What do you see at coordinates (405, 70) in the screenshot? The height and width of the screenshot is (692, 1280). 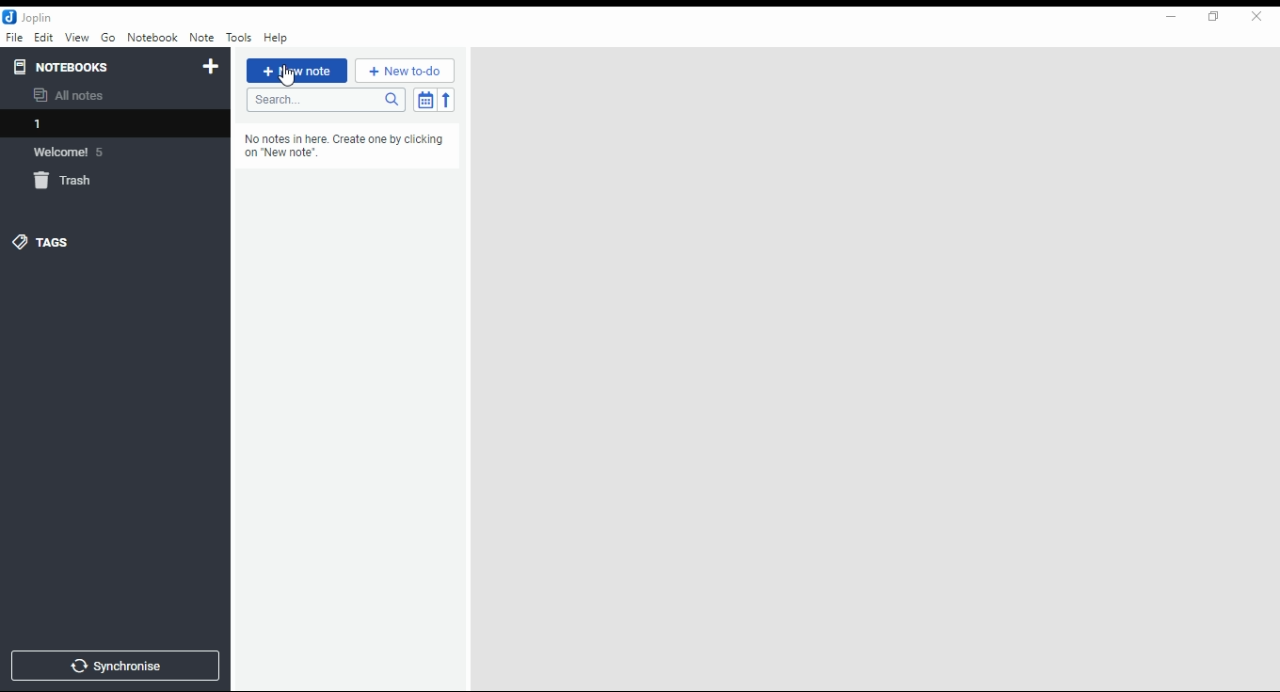 I see `New to-do` at bounding box center [405, 70].